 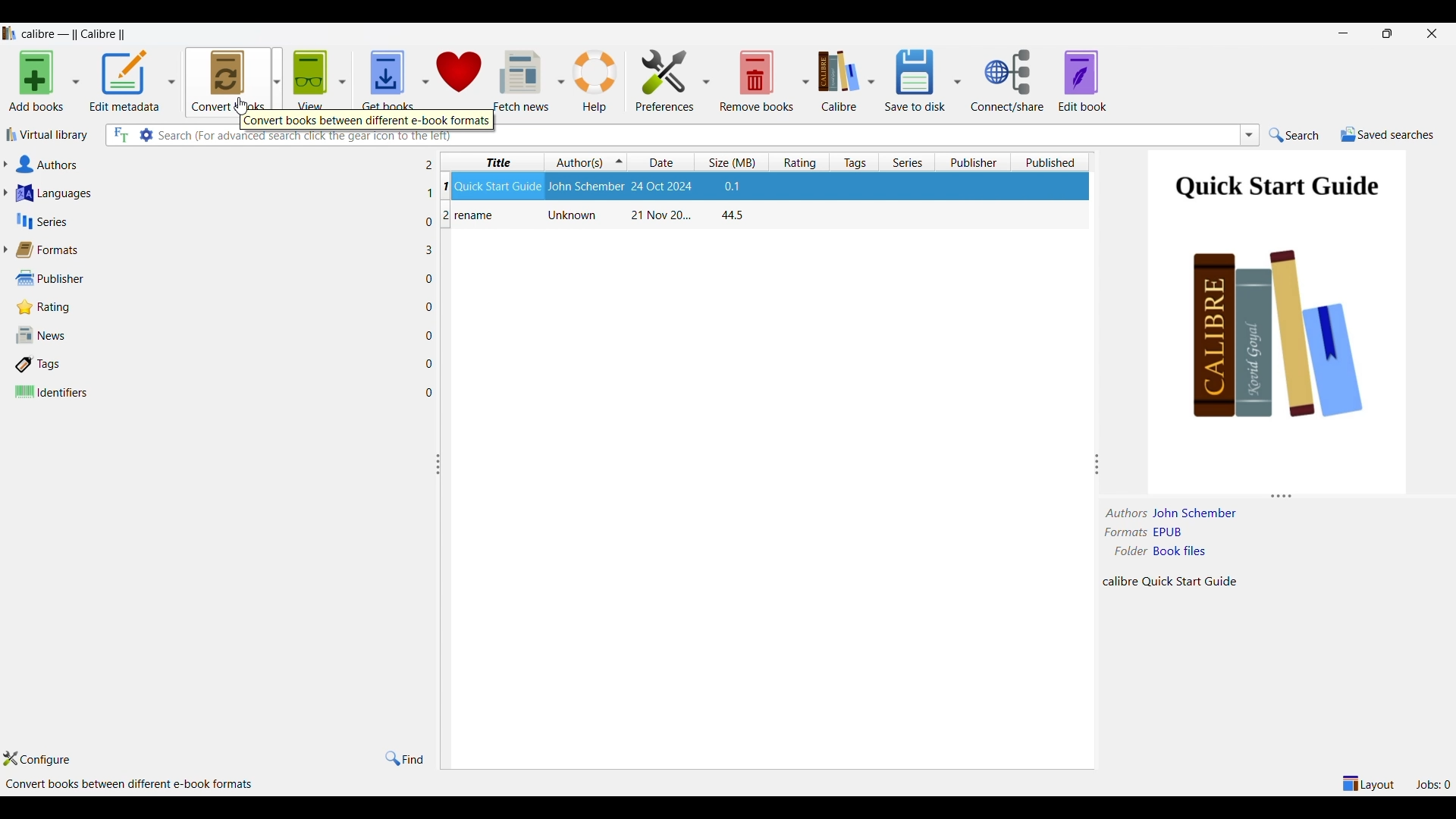 I want to click on Preference options, so click(x=705, y=80).